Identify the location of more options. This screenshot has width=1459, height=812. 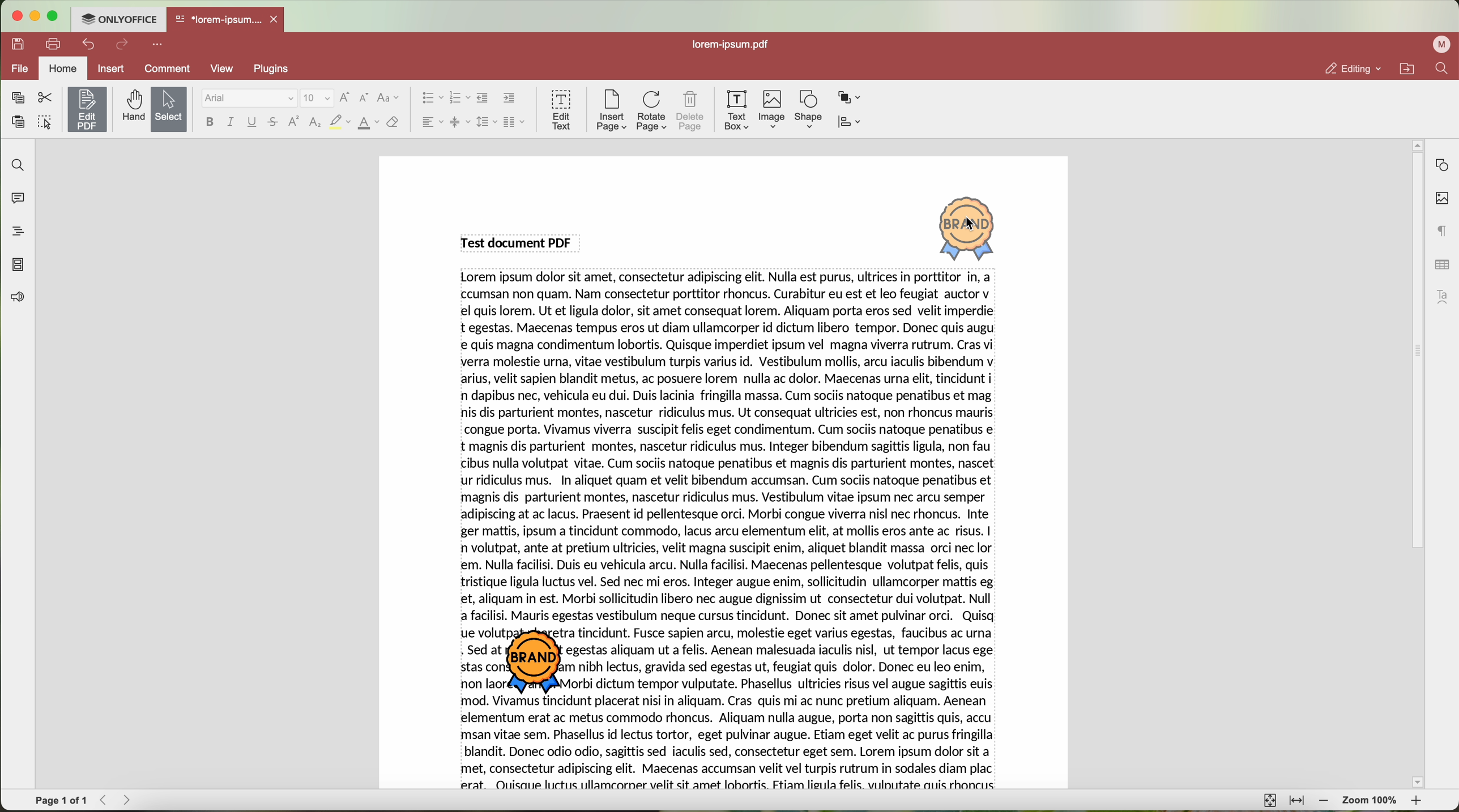
(160, 43).